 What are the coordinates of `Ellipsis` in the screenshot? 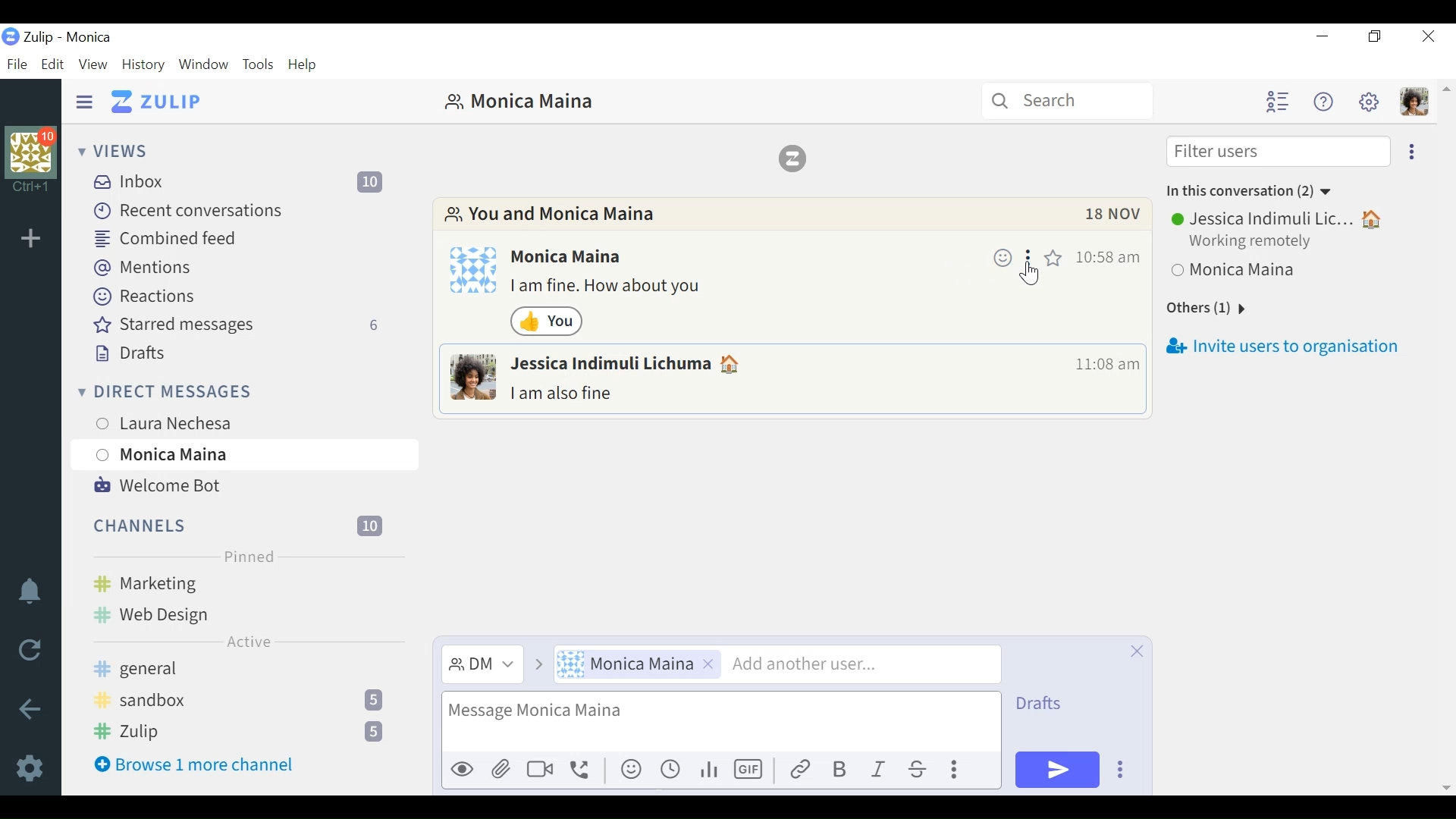 It's located at (1128, 770).